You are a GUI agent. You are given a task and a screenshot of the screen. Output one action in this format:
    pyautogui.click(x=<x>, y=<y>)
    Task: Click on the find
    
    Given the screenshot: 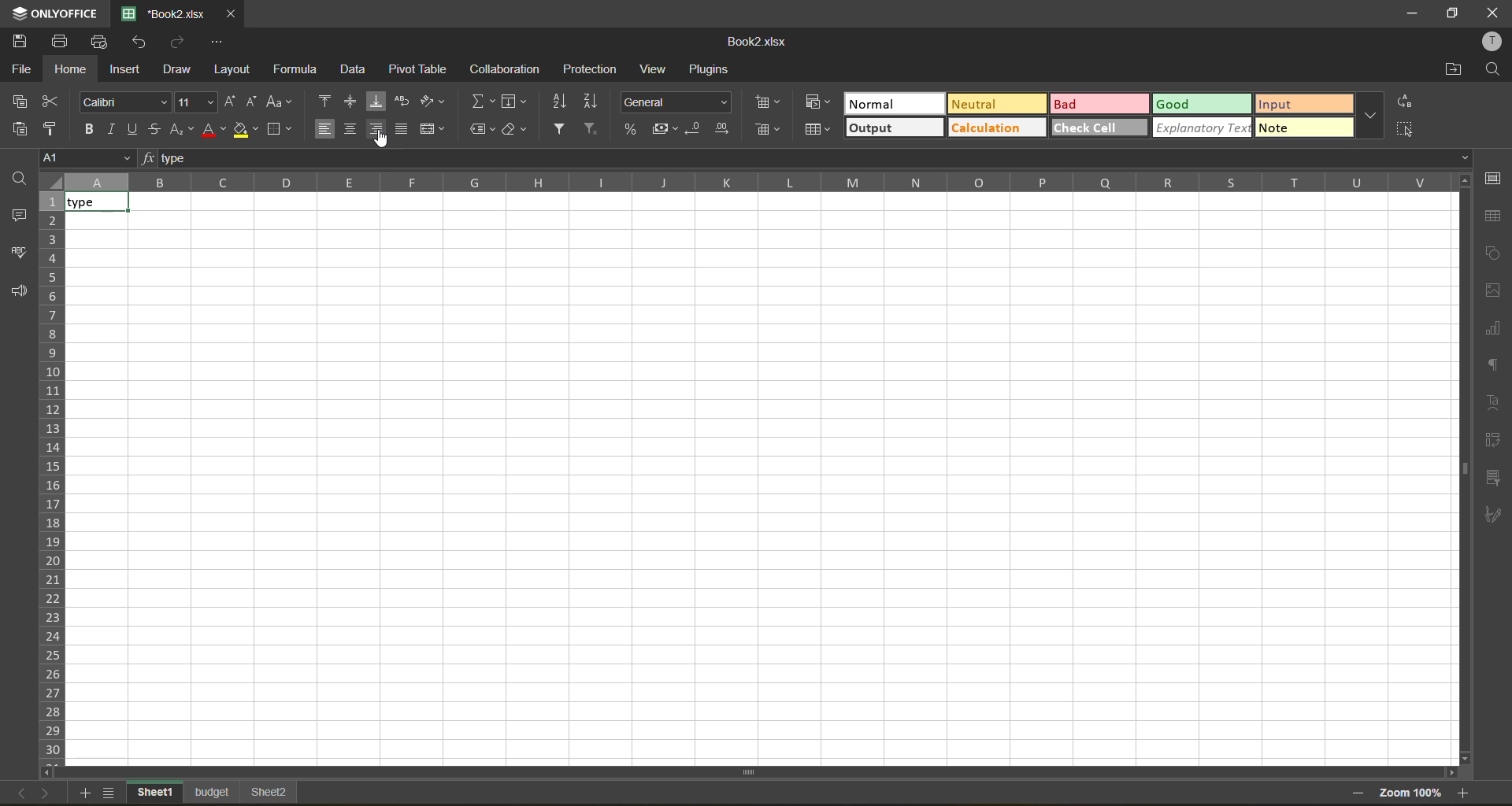 What is the action you would take?
    pyautogui.click(x=1492, y=70)
    